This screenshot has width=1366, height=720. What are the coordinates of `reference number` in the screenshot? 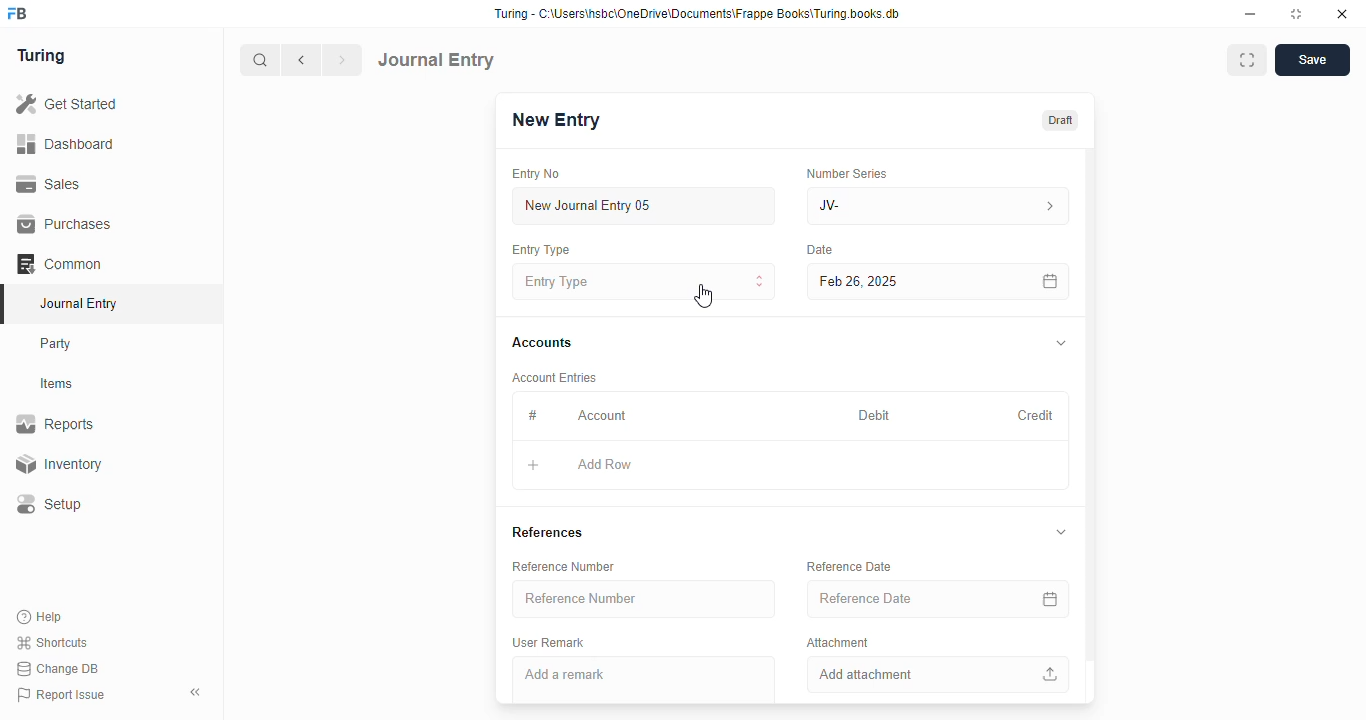 It's located at (644, 599).